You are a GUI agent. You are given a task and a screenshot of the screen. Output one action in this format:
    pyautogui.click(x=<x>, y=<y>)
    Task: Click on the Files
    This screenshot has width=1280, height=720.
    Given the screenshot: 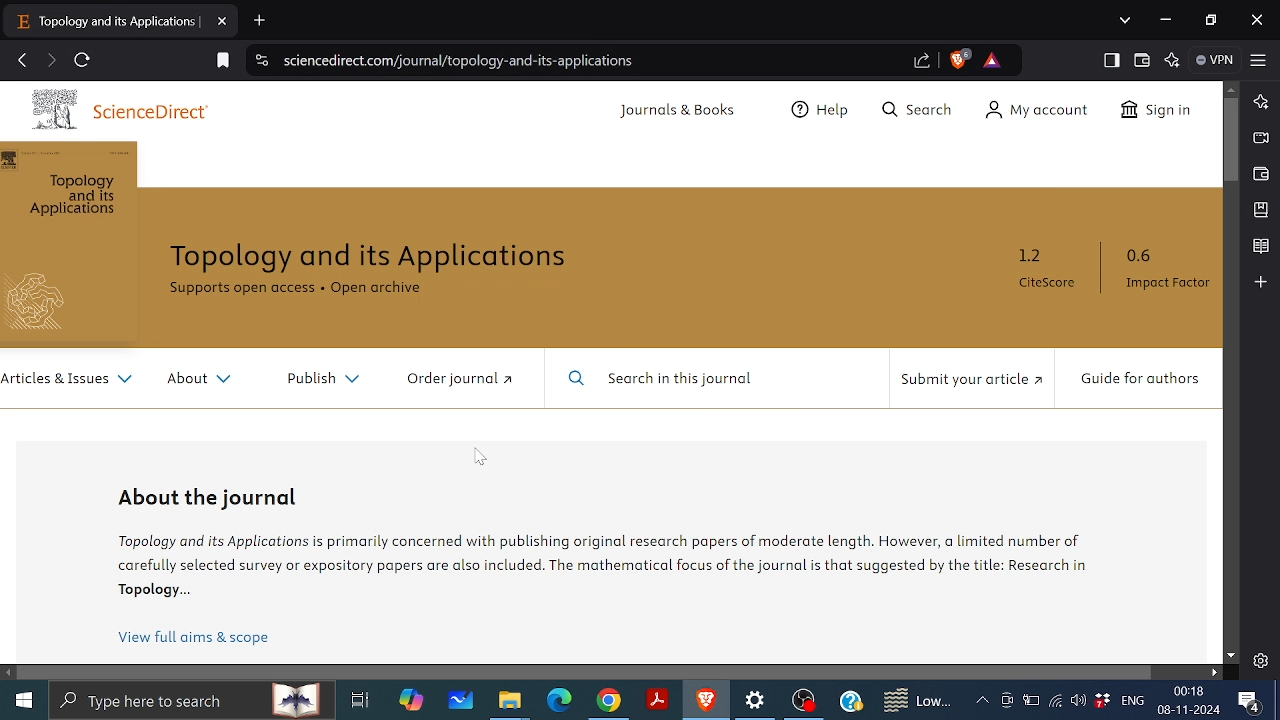 What is the action you would take?
    pyautogui.click(x=508, y=703)
    